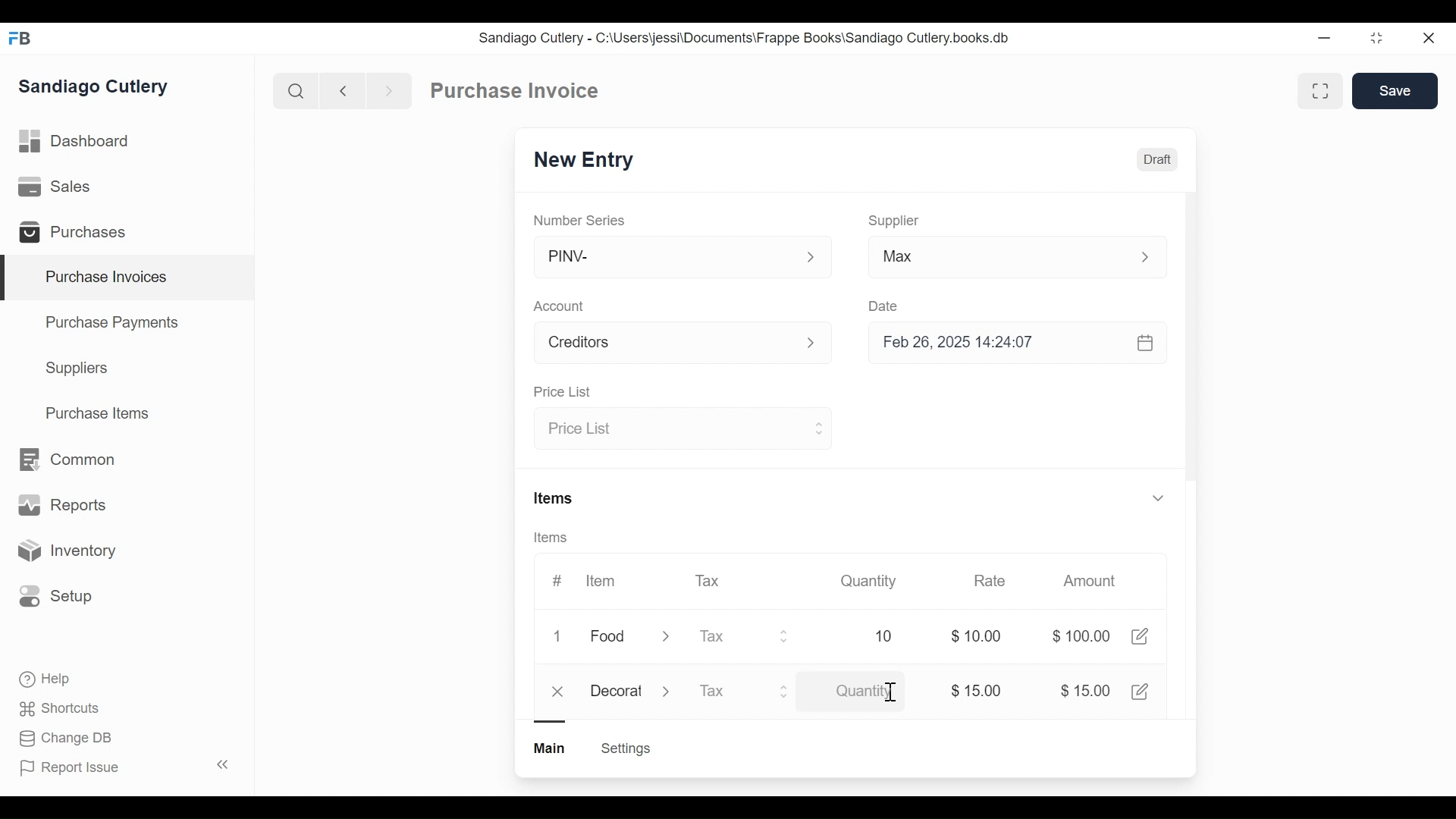  What do you see at coordinates (1153, 257) in the screenshot?
I see `Expand` at bounding box center [1153, 257].